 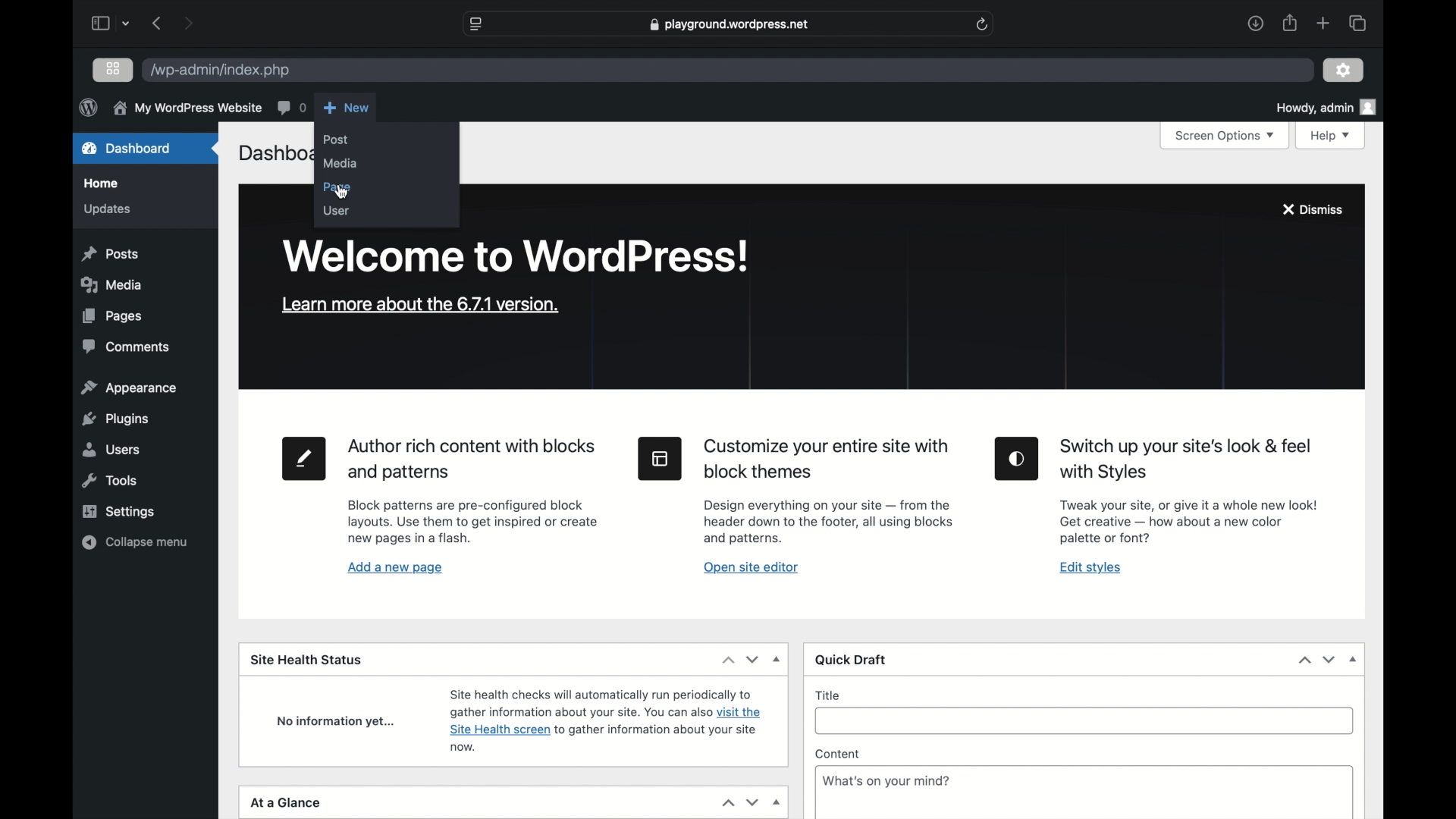 What do you see at coordinates (829, 695) in the screenshot?
I see `title` at bounding box center [829, 695].